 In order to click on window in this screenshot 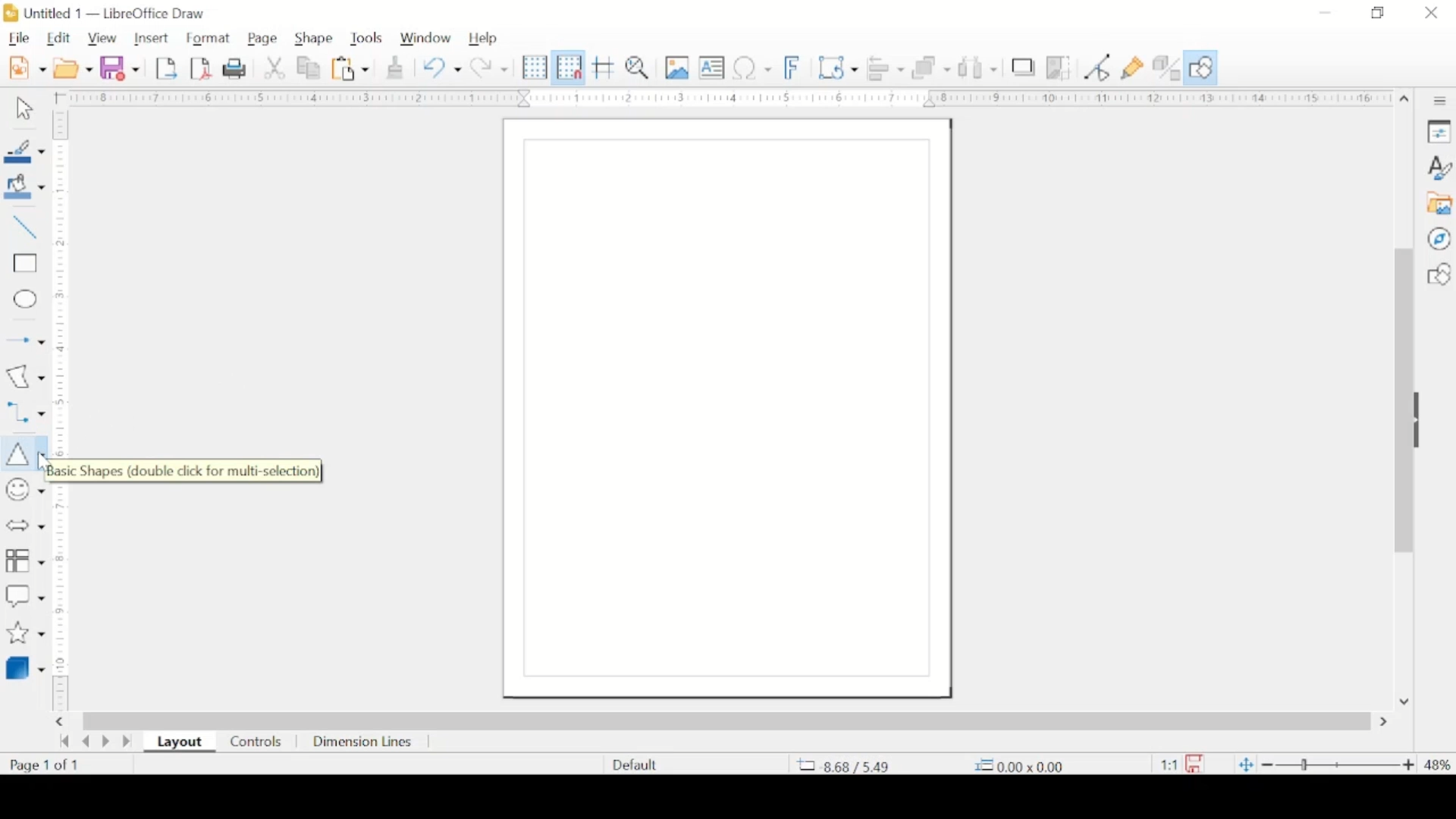, I will do `click(425, 36)`.